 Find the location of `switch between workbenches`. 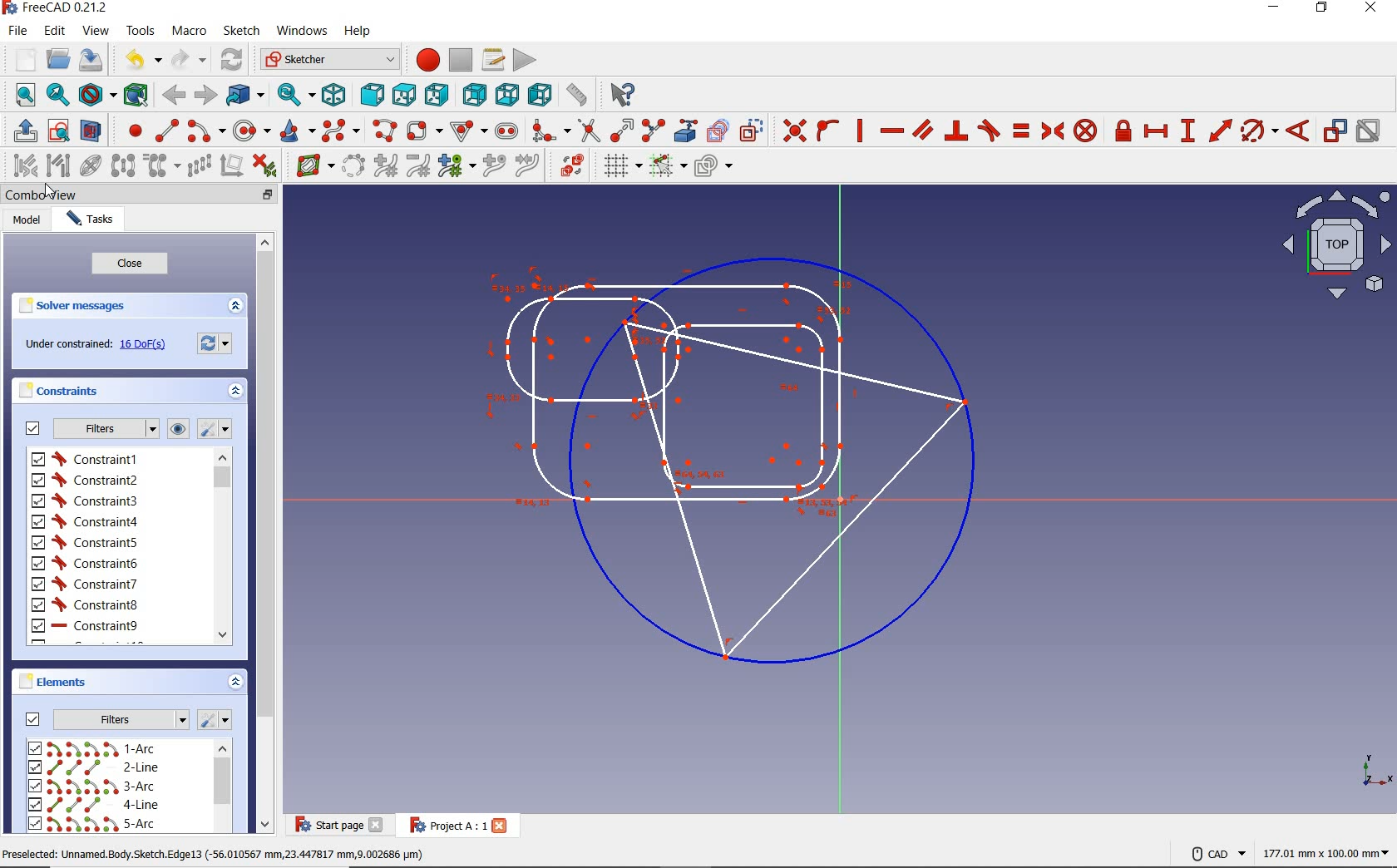

switch between workbenches is located at coordinates (324, 60).